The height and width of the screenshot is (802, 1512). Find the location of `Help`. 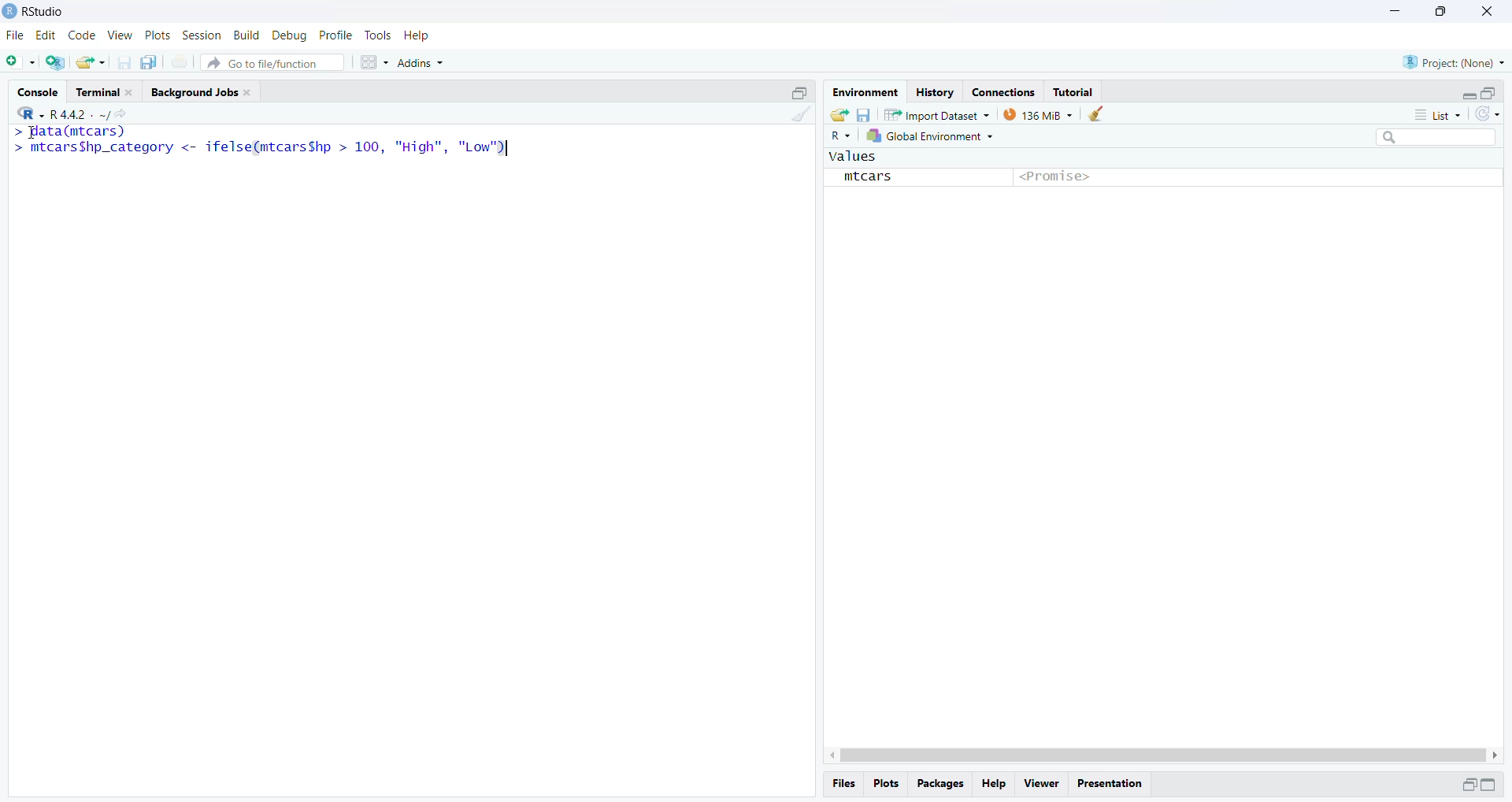

Help is located at coordinates (418, 35).